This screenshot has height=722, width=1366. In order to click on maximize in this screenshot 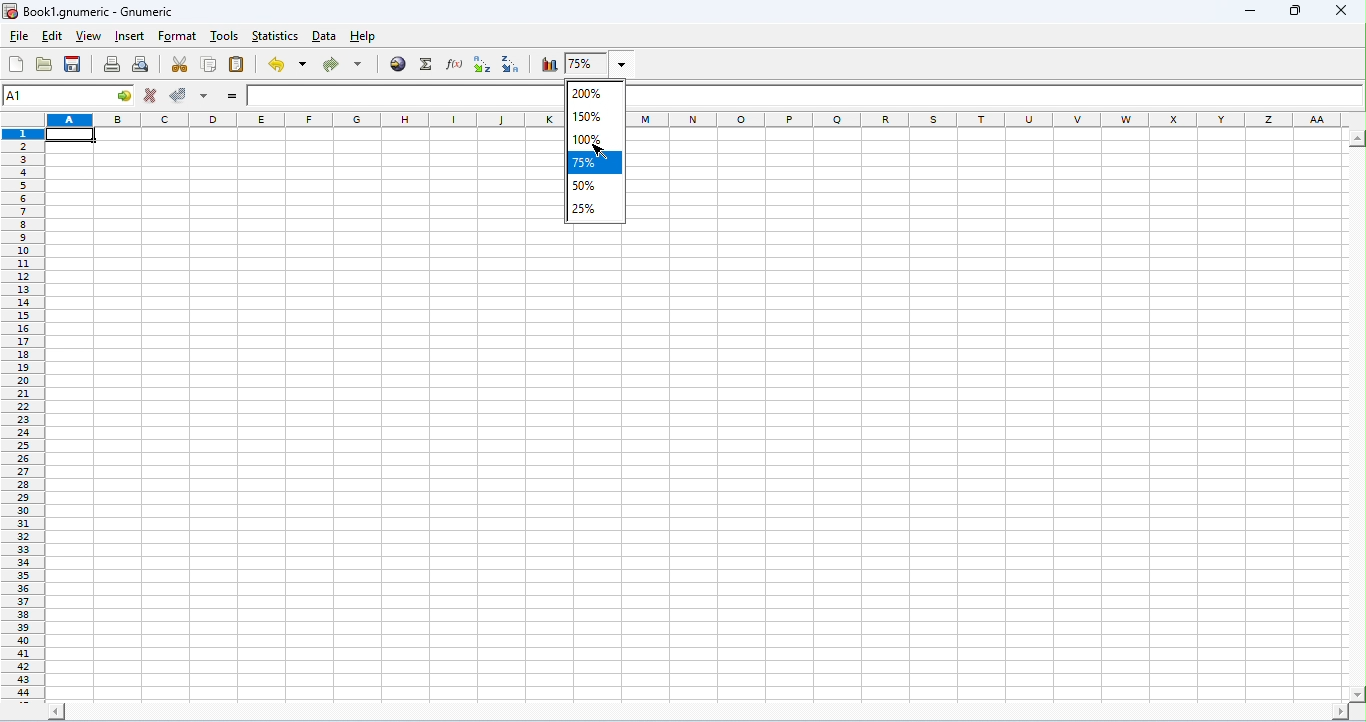, I will do `click(1293, 9)`.